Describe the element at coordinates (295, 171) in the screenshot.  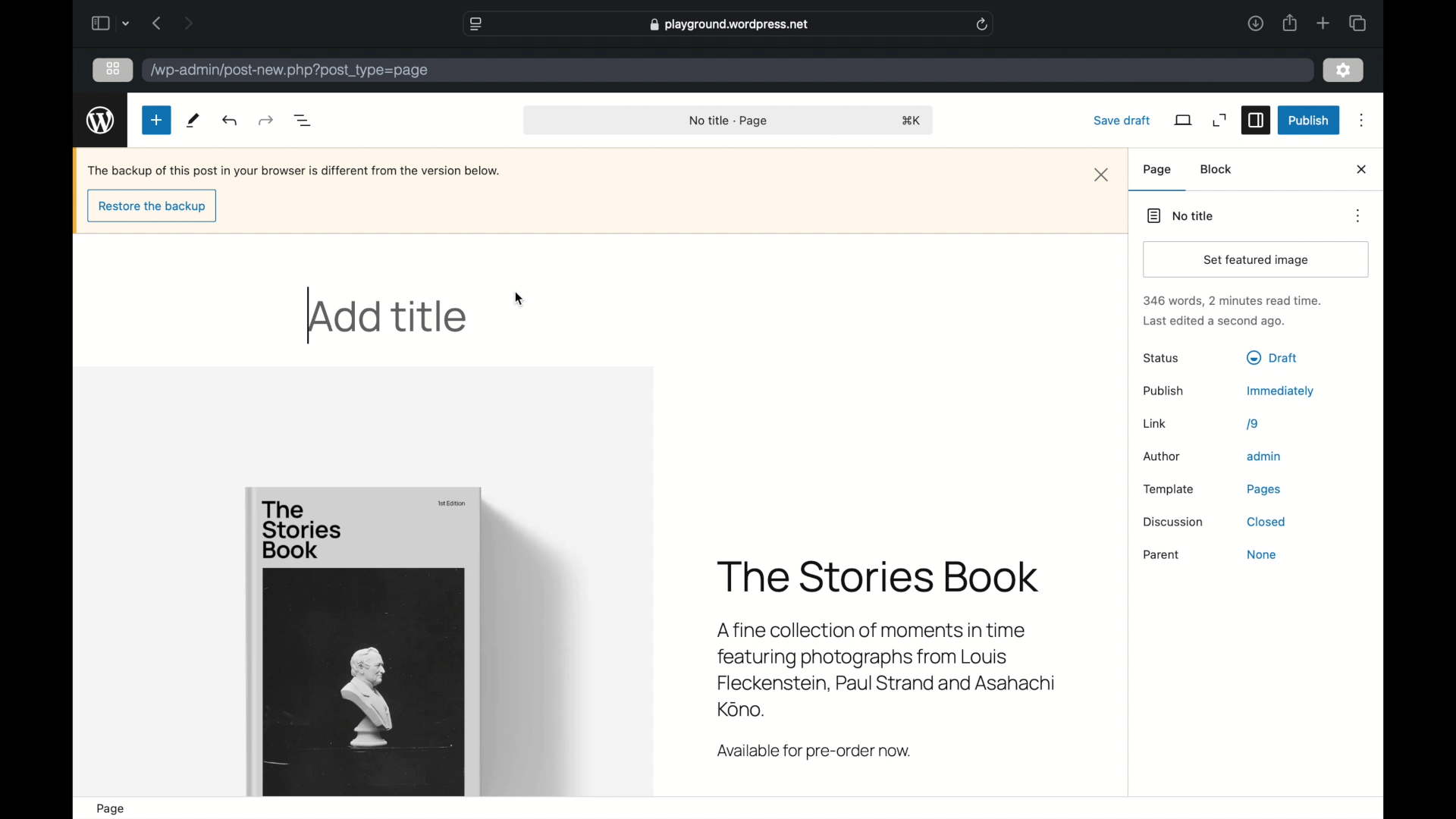
I see `The backup of this post in your browser is different from the version below.` at that location.